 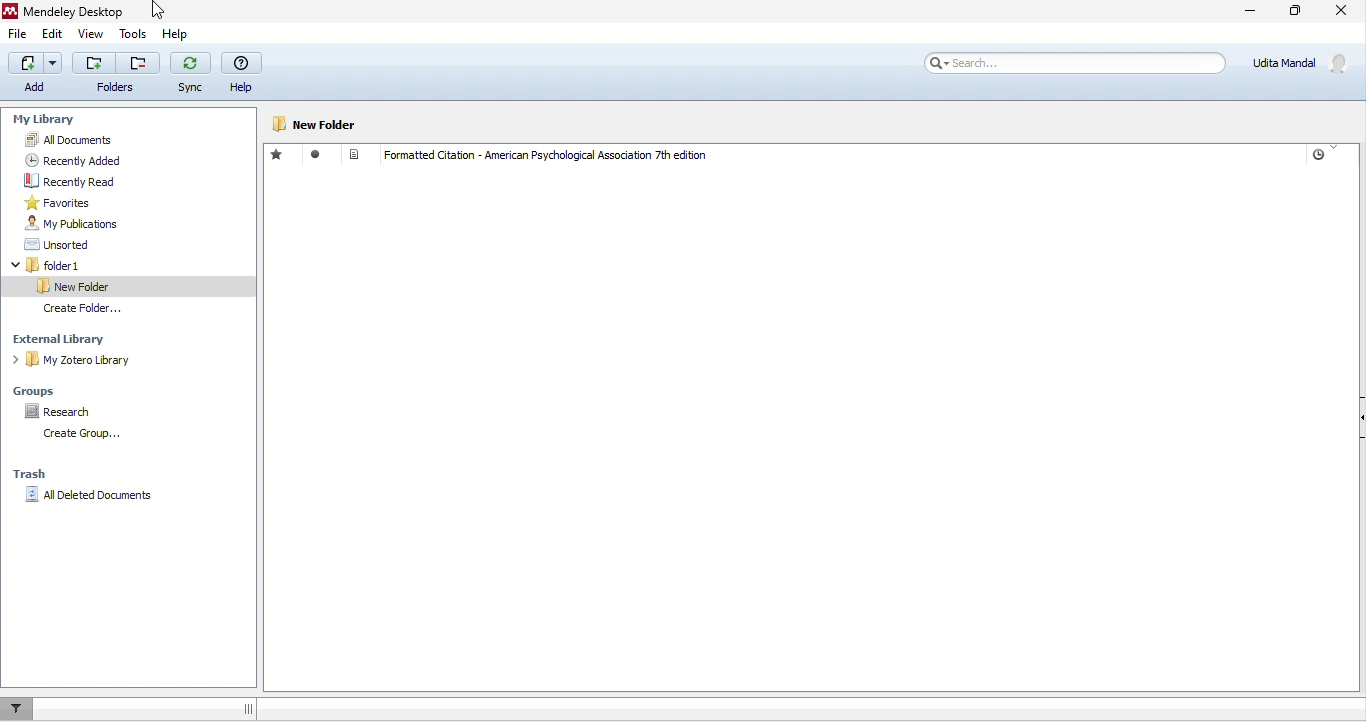 What do you see at coordinates (29, 473) in the screenshot?
I see `trash` at bounding box center [29, 473].